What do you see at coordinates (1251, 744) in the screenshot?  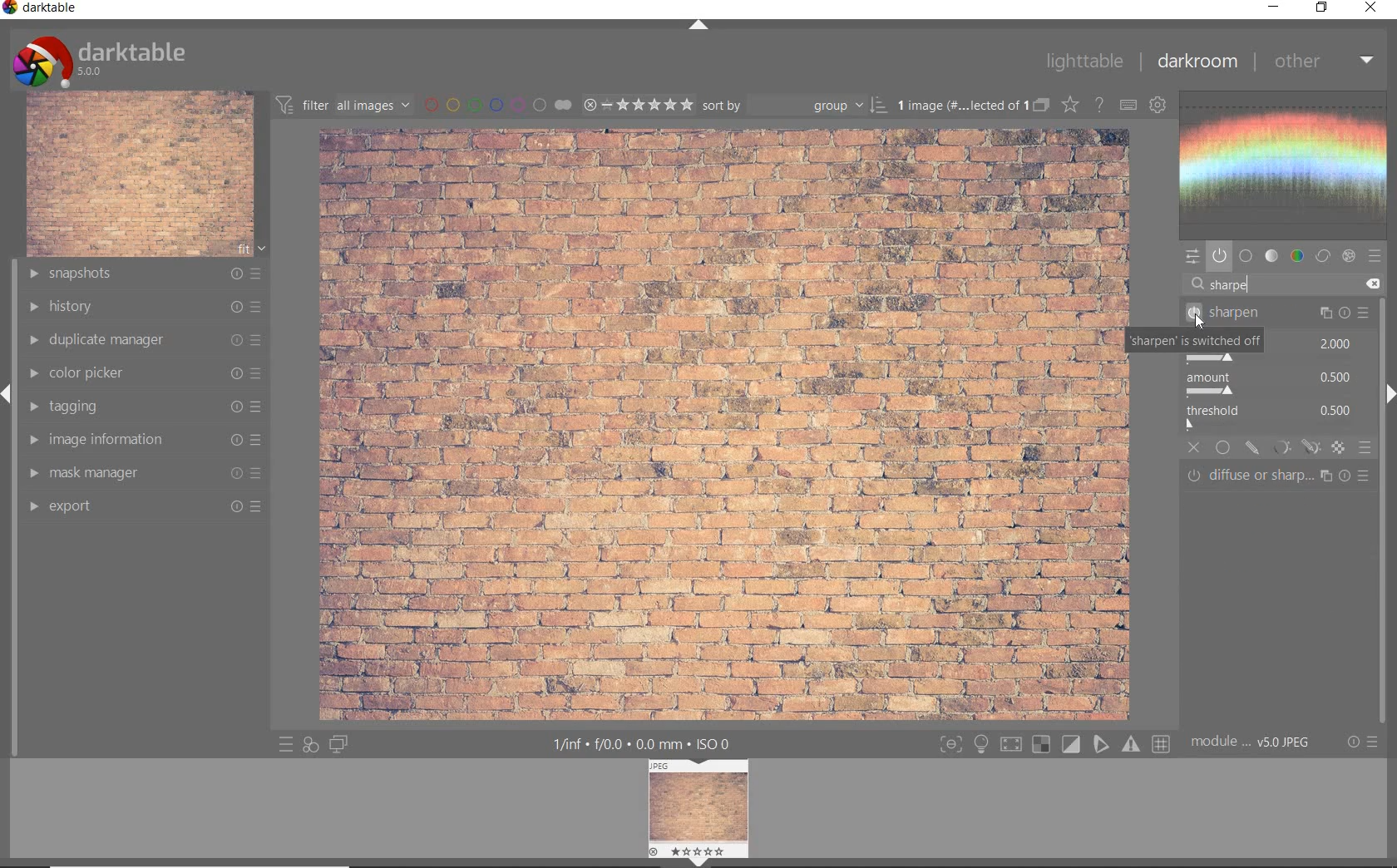 I see `module ...v5.0 JPEG` at bounding box center [1251, 744].